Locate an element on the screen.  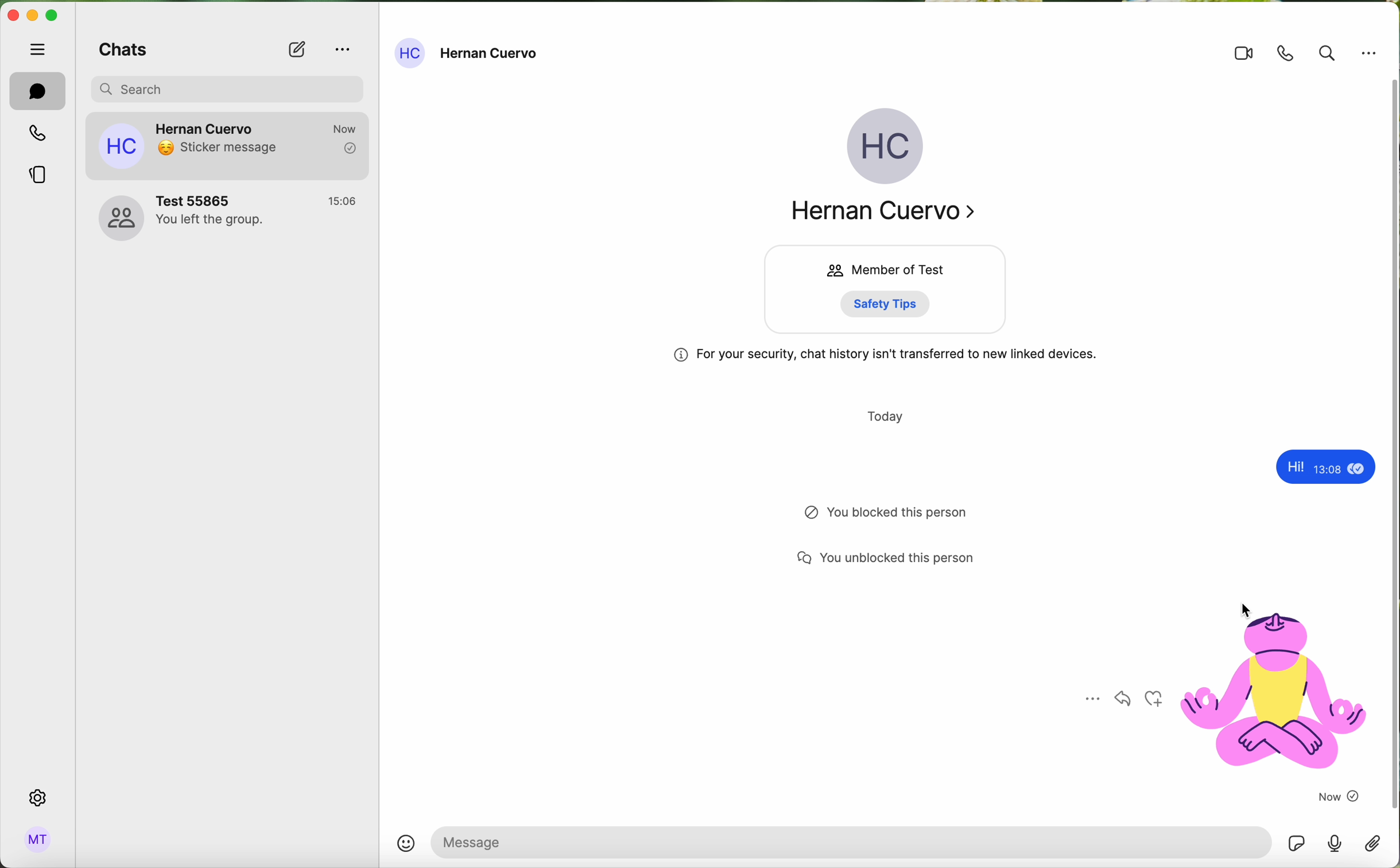
settings is located at coordinates (39, 797).